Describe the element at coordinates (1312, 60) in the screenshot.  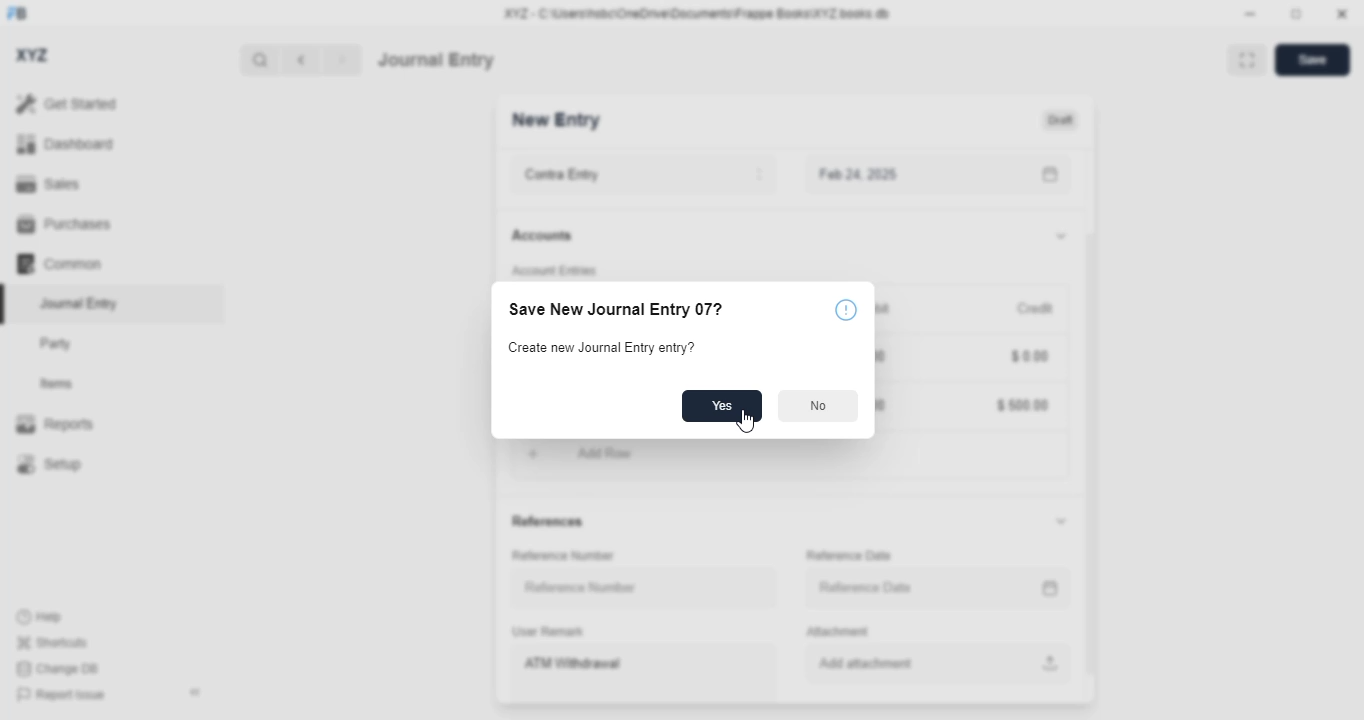
I see `save` at that location.